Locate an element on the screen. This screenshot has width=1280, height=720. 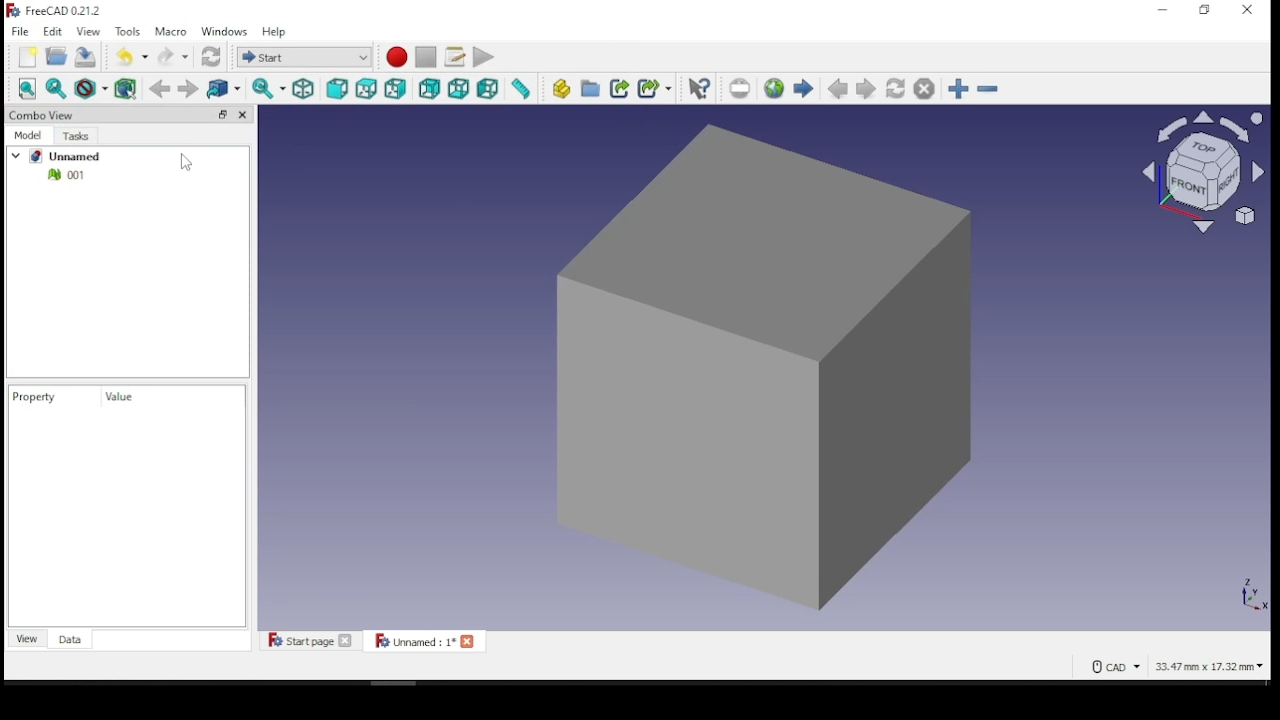
tasks is located at coordinates (76, 137).